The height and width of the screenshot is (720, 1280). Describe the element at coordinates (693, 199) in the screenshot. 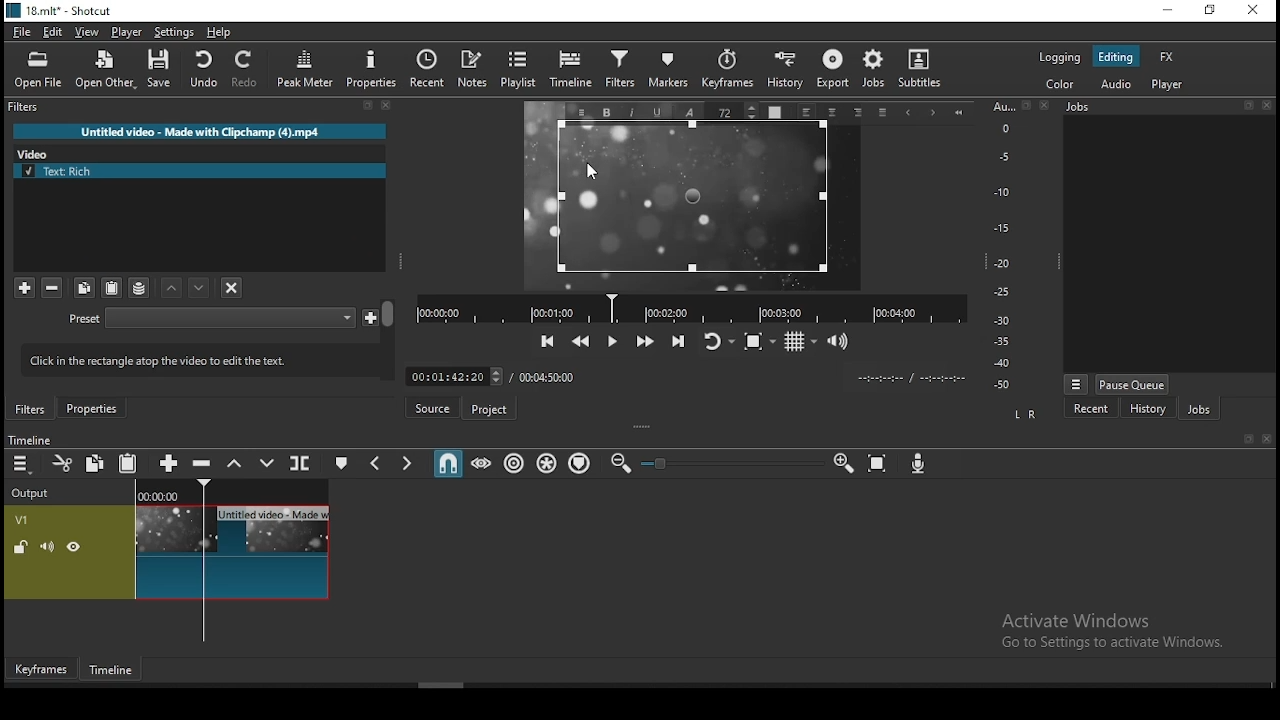

I see `text box` at that location.